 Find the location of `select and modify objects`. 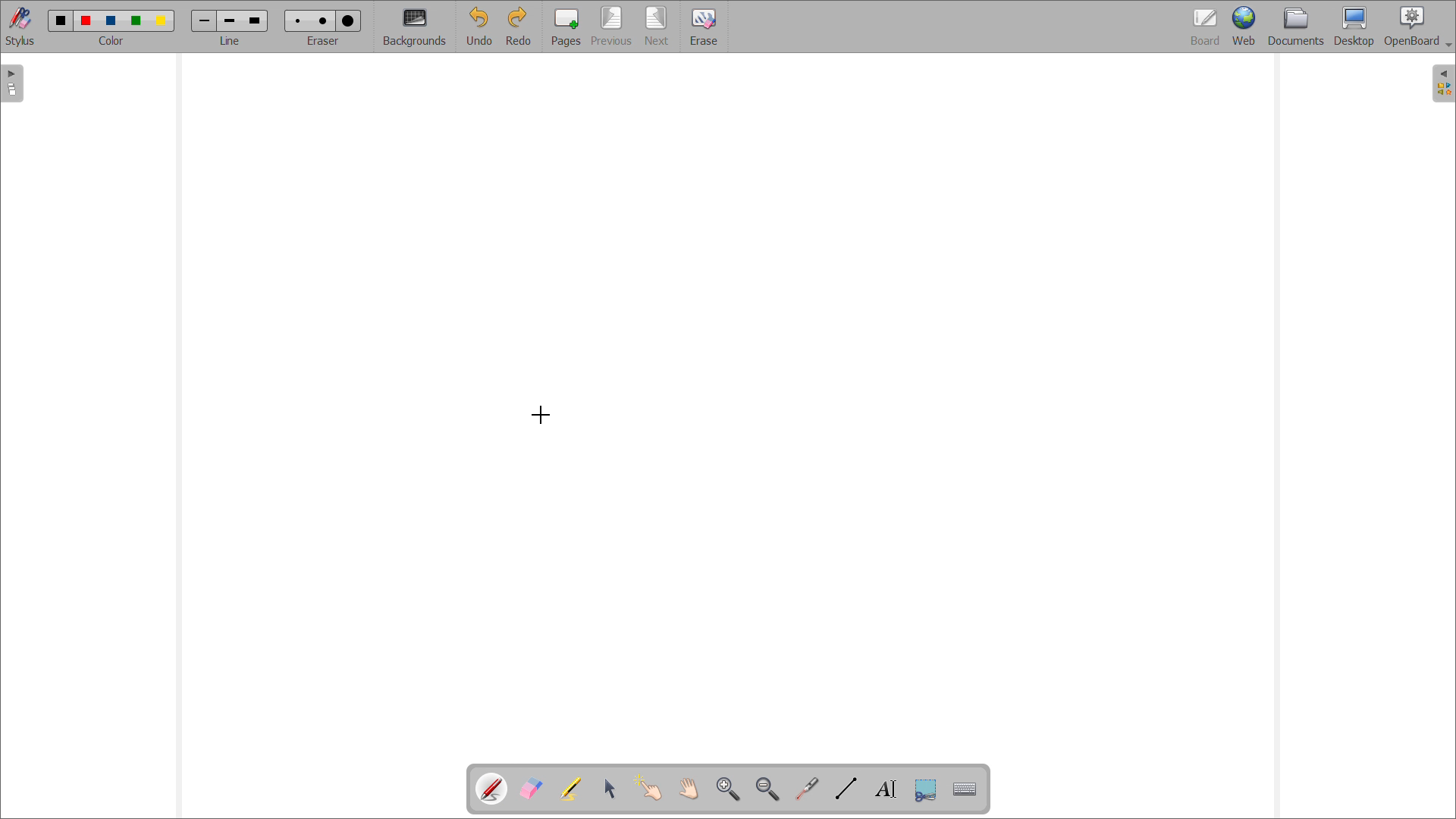

select and modify objects is located at coordinates (610, 789).